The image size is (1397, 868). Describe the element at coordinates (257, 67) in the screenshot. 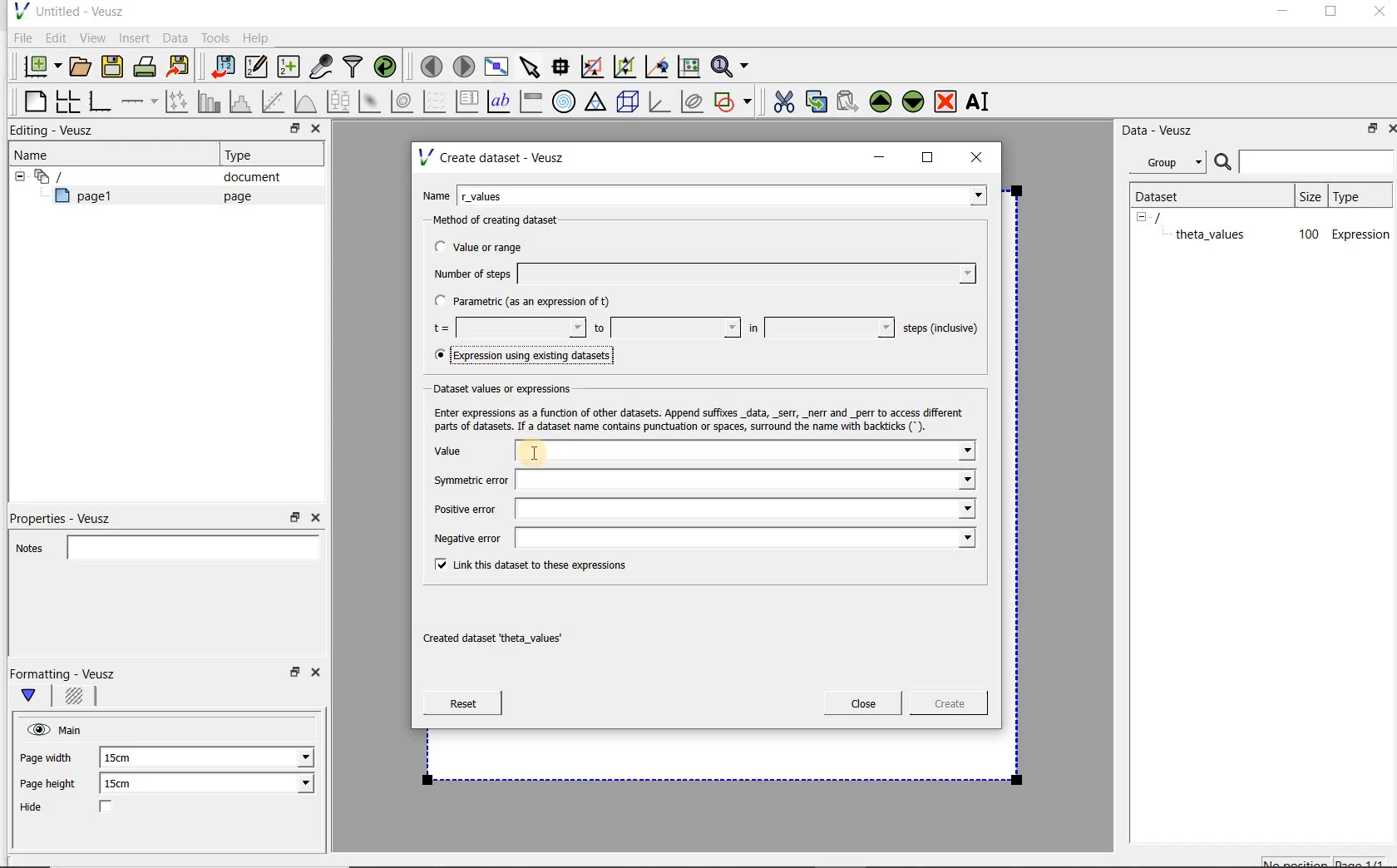

I see `Edit and enter new datasets` at that location.